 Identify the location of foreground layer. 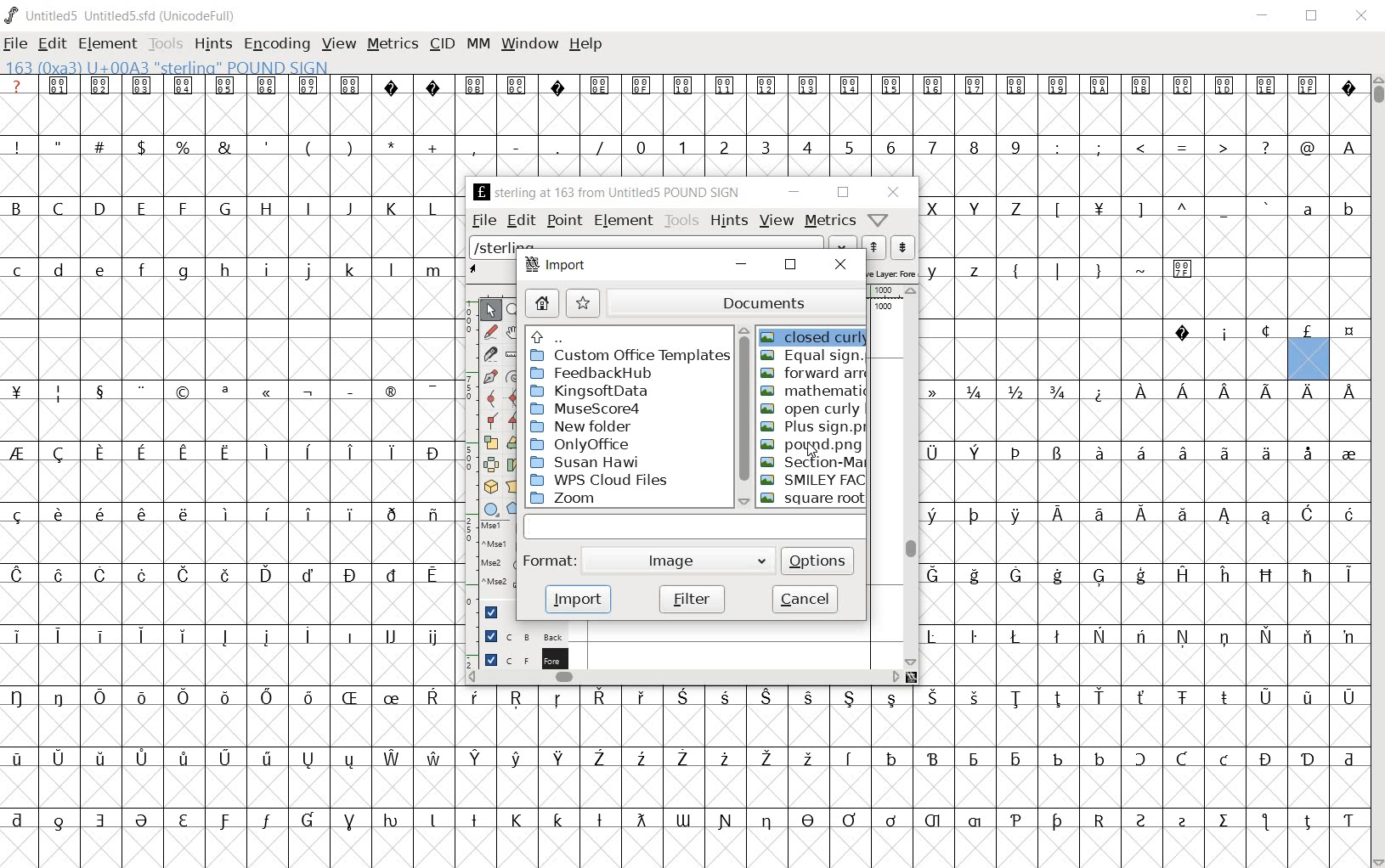
(518, 658).